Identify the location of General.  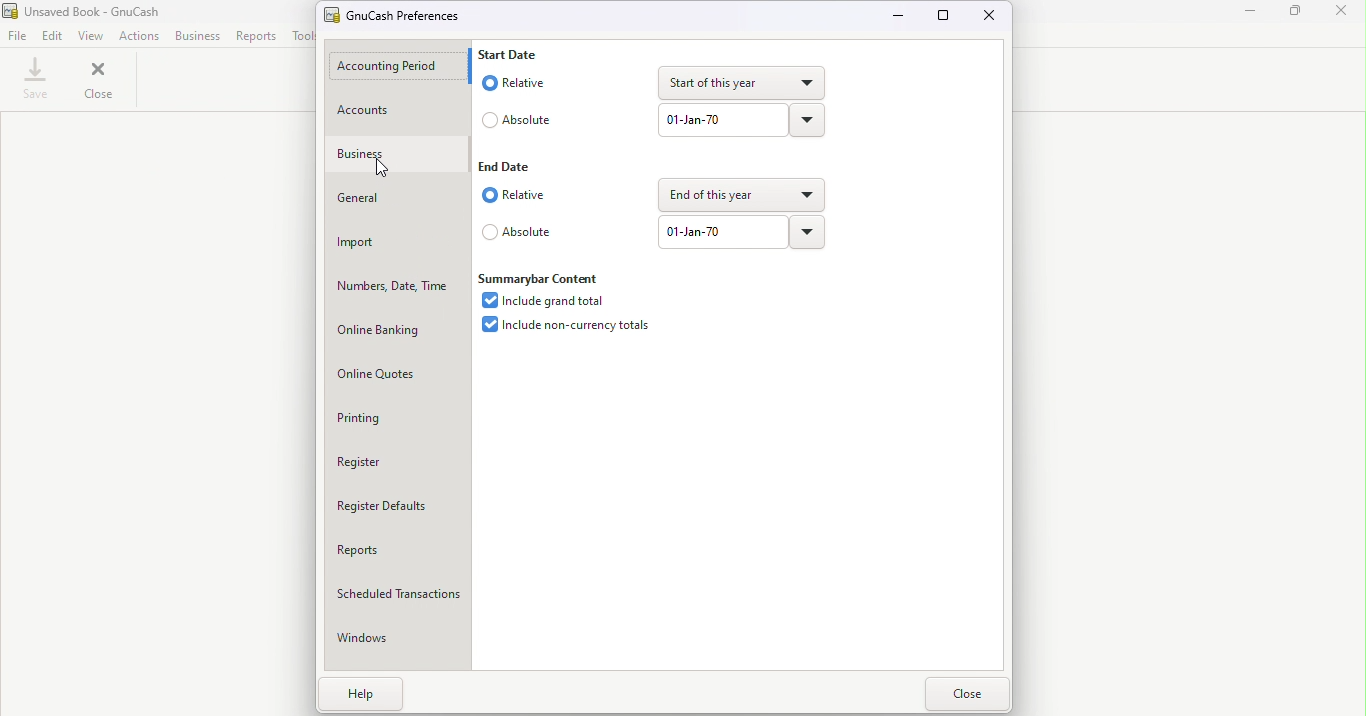
(395, 200).